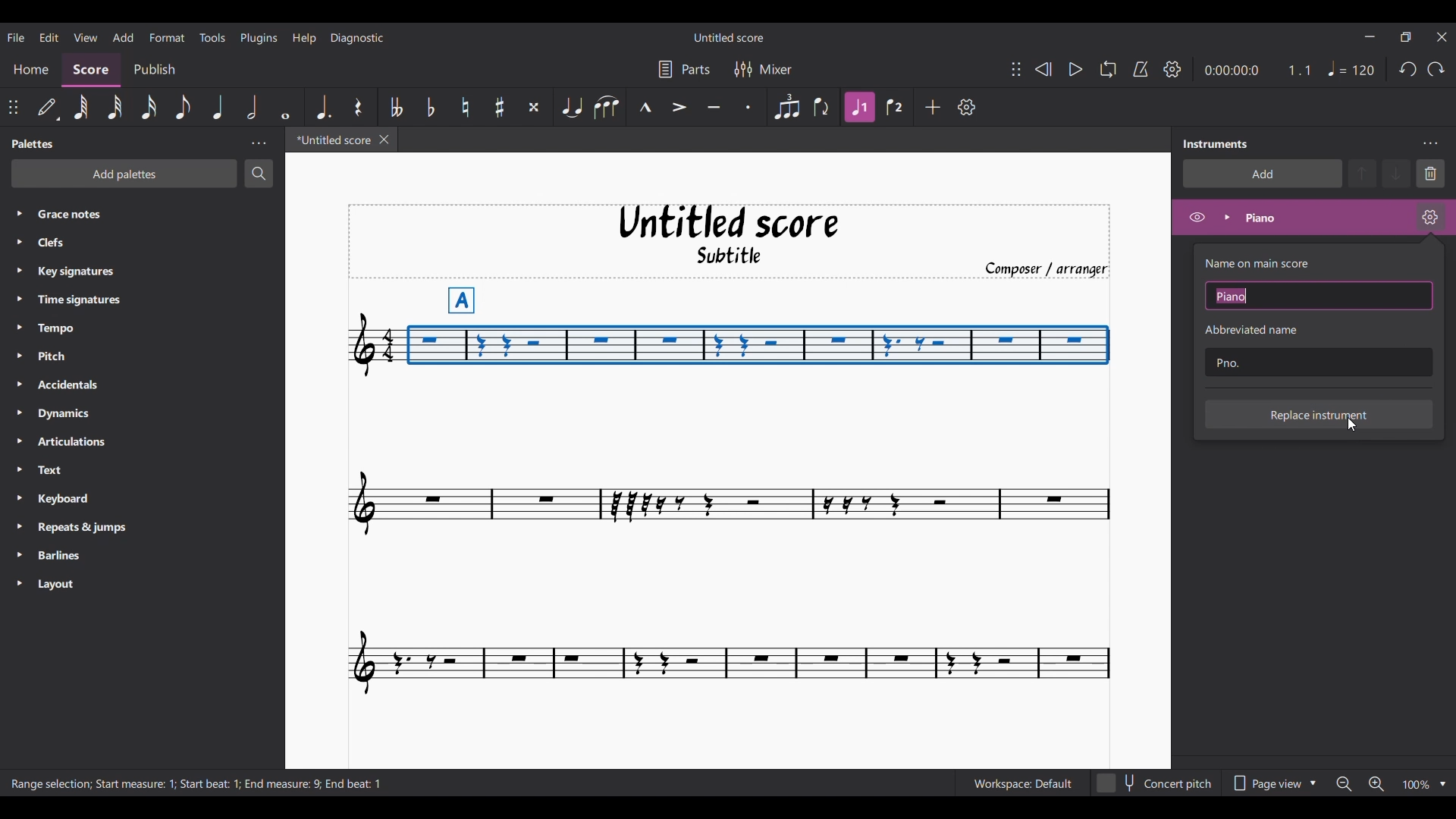 The width and height of the screenshot is (1456, 819). Describe the element at coordinates (113, 107) in the screenshot. I see `32nd note` at that location.